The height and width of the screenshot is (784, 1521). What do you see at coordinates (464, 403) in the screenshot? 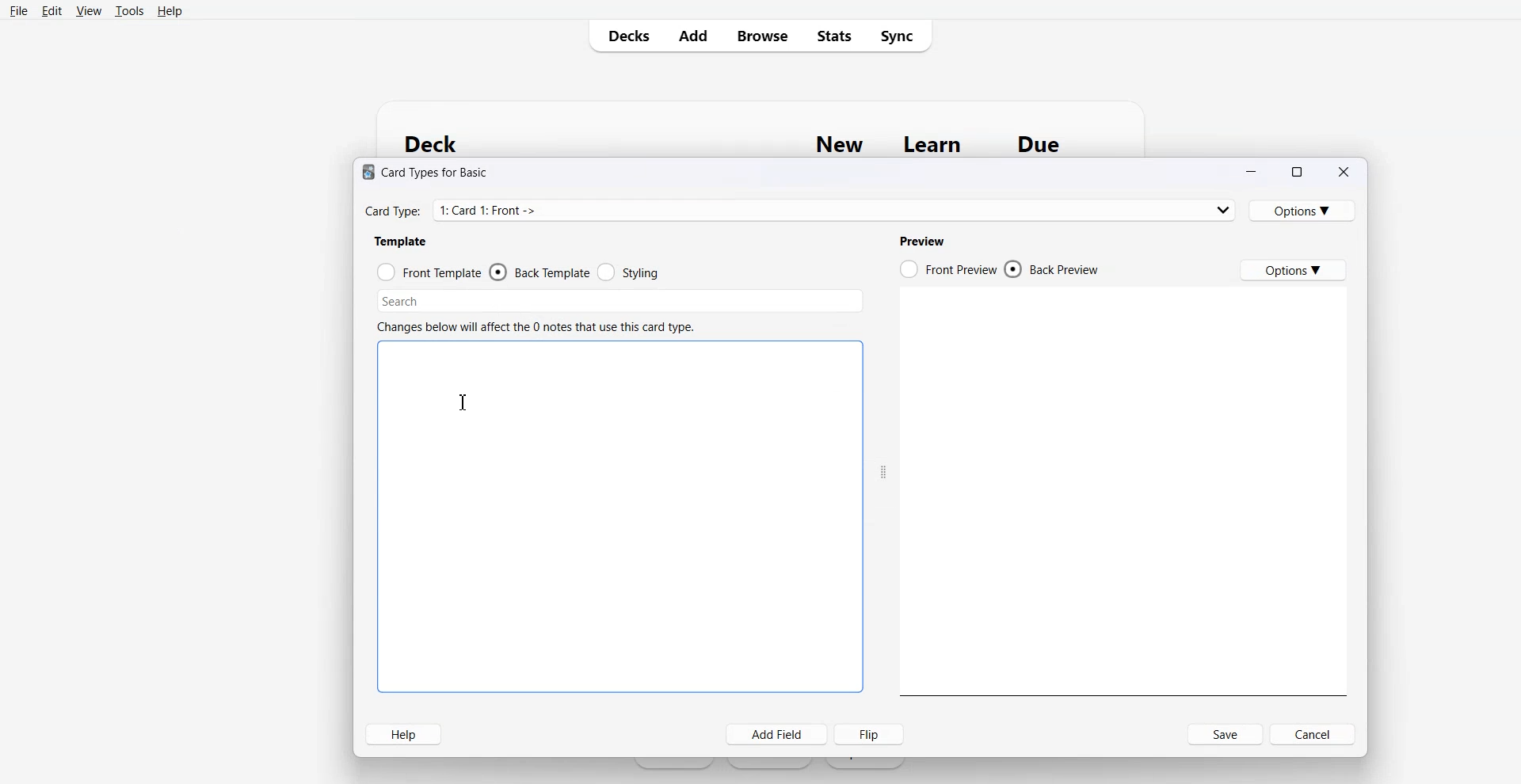
I see `Text Cursor` at bounding box center [464, 403].